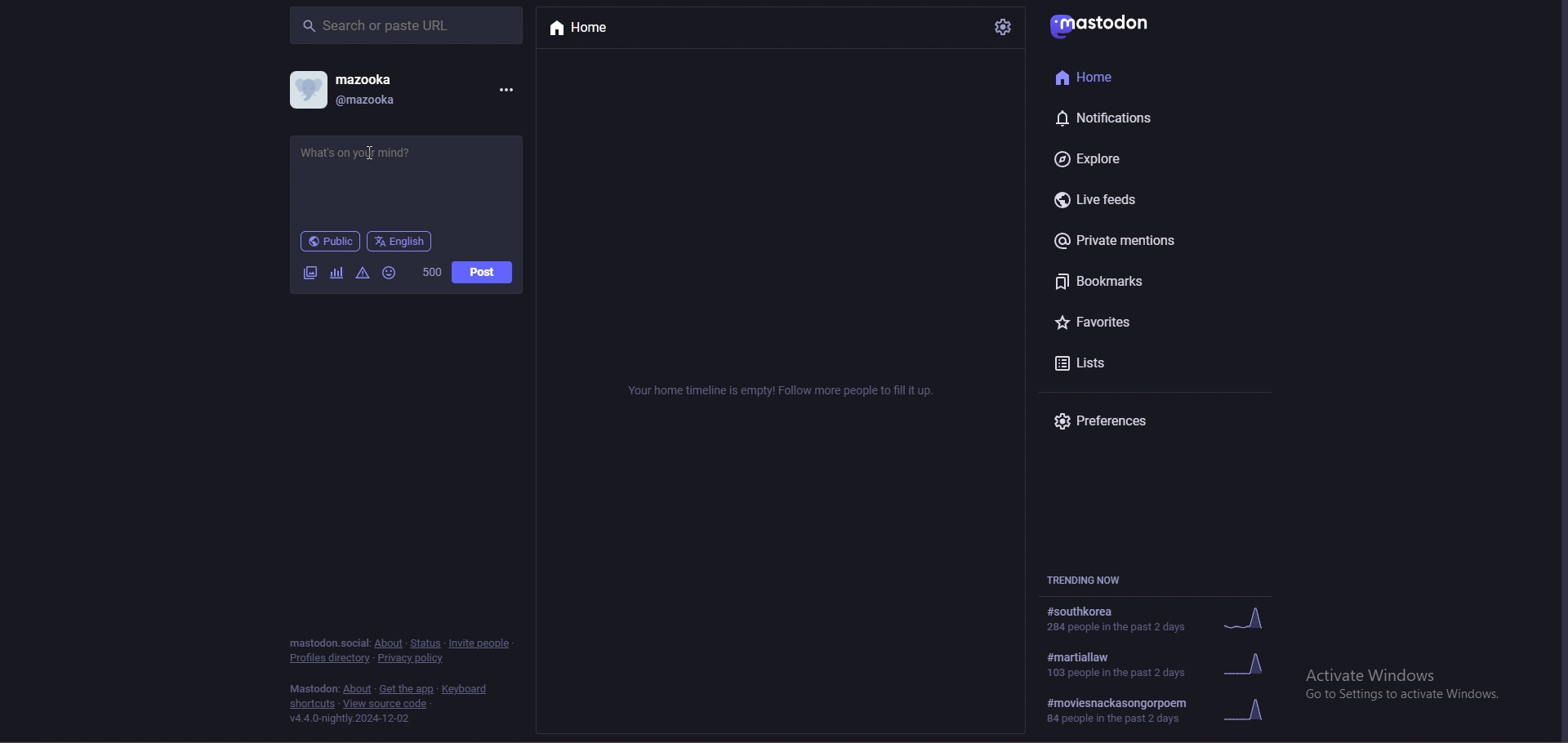  I want to click on preferences, so click(1144, 418).